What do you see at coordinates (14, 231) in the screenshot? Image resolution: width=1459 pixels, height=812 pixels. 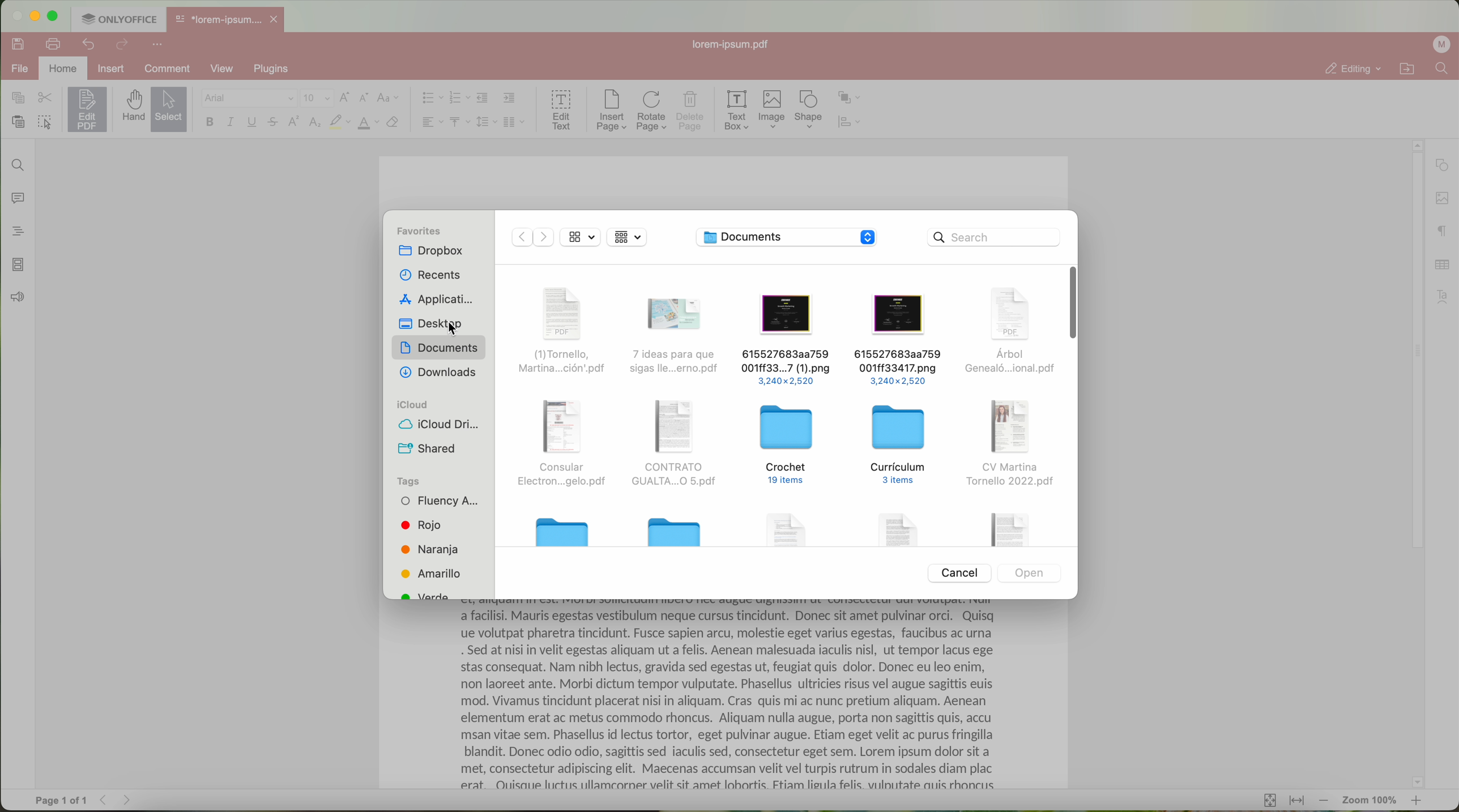 I see `headings` at bounding box center [14, 231].